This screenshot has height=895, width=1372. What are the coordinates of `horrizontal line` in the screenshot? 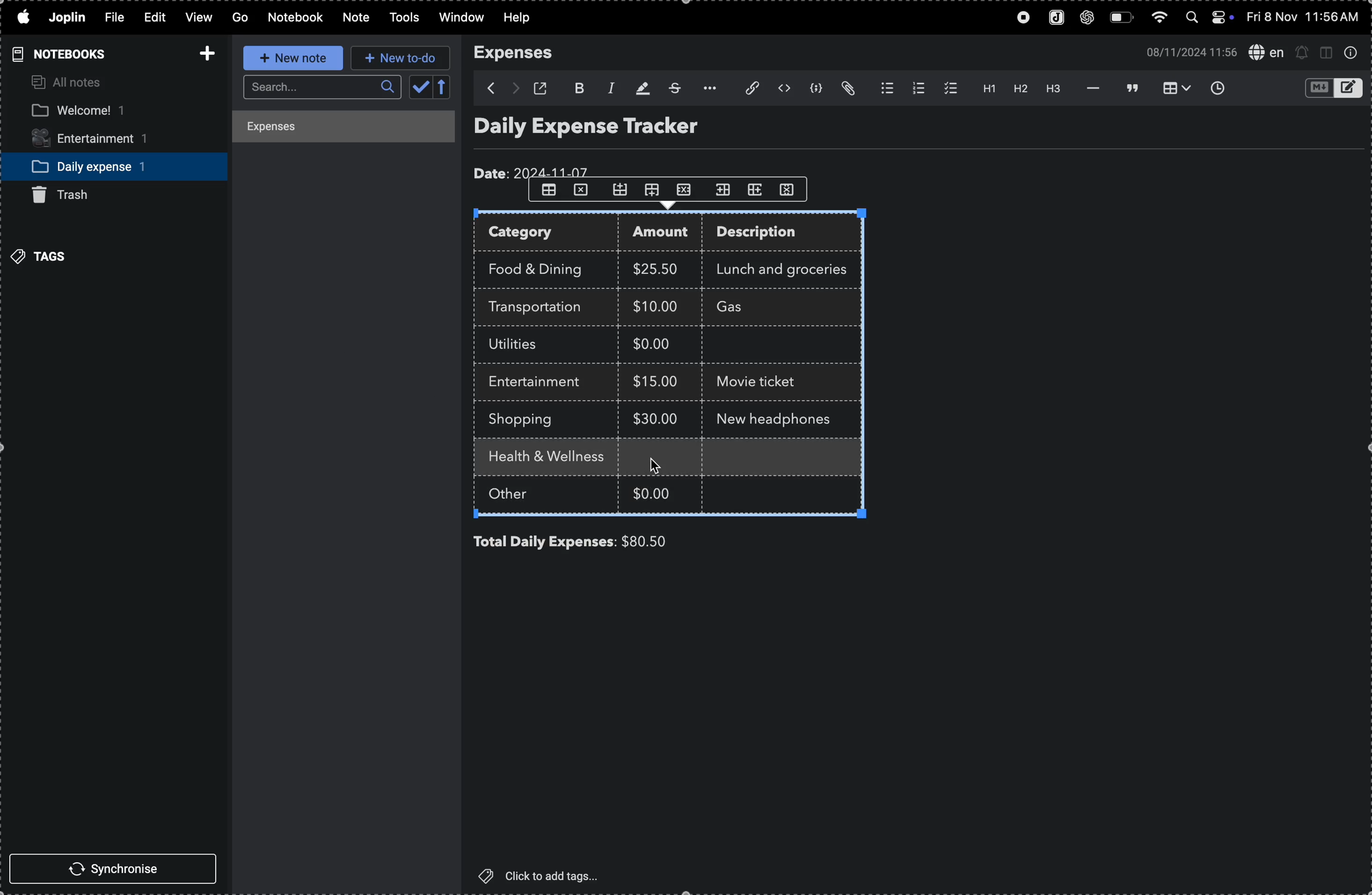 It's located at (1090, 88).